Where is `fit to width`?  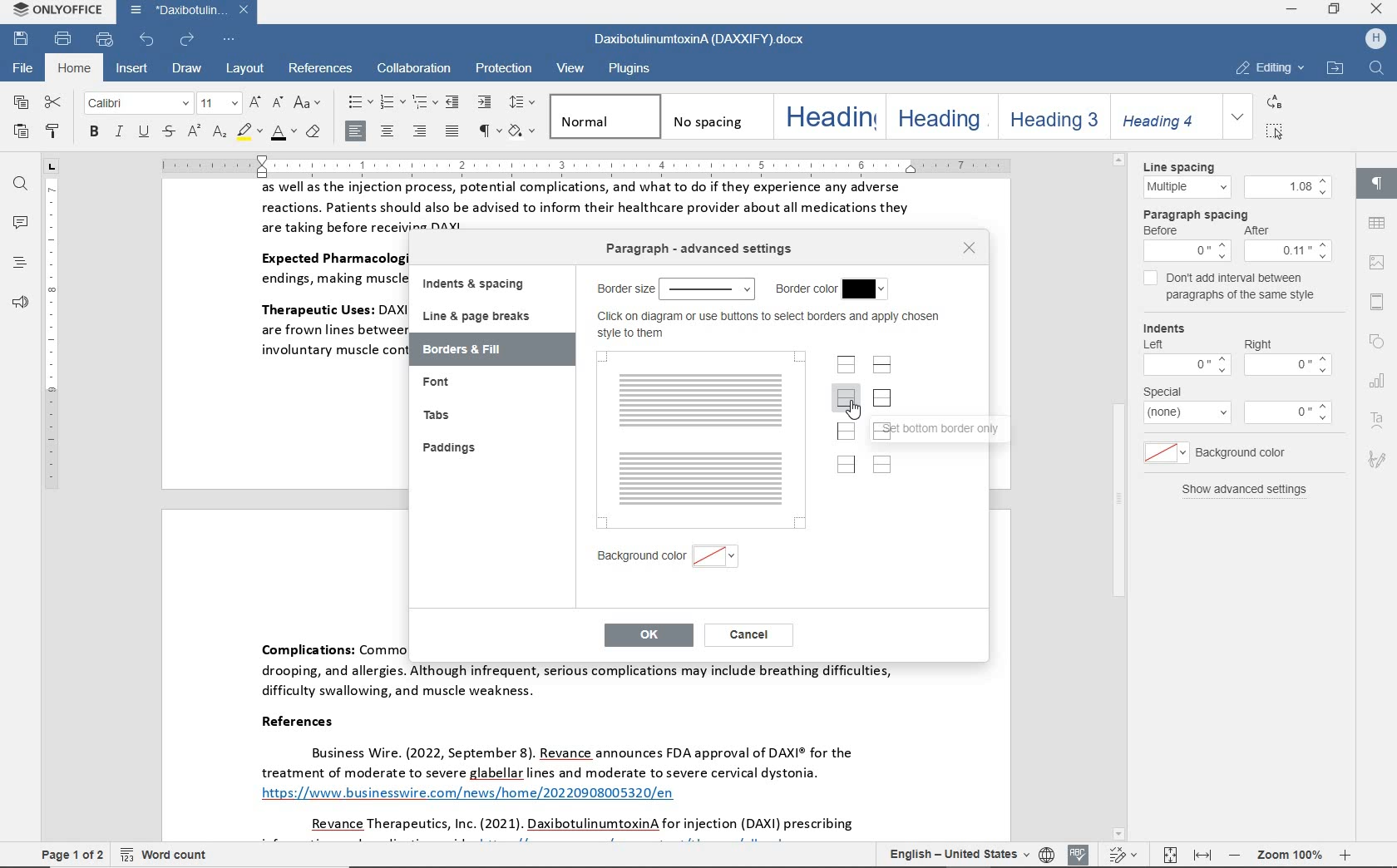
fit to width is located at coordinates (1201, 856).